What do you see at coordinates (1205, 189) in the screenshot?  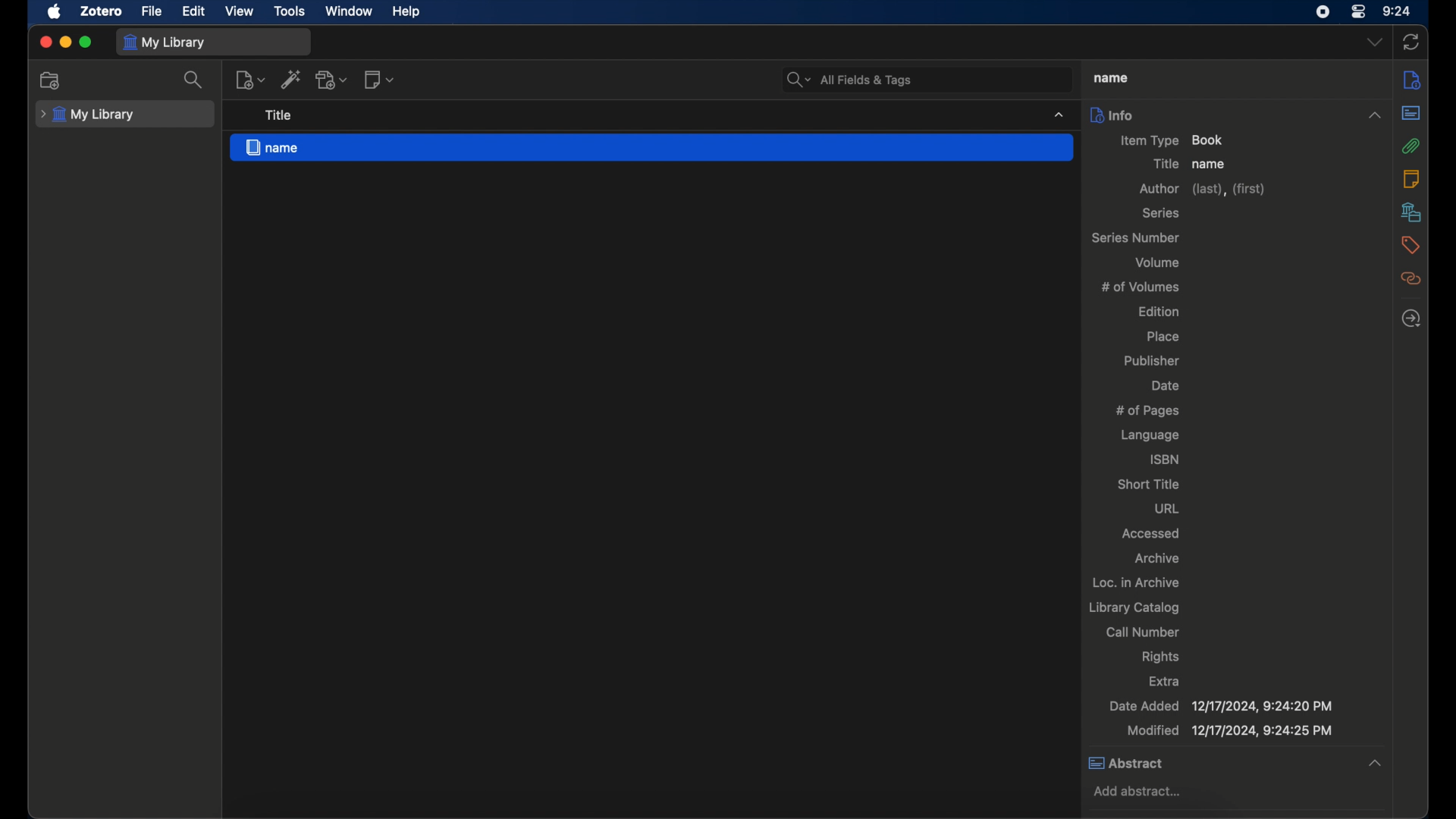 I see `author` at bounding box center [1205, 189].